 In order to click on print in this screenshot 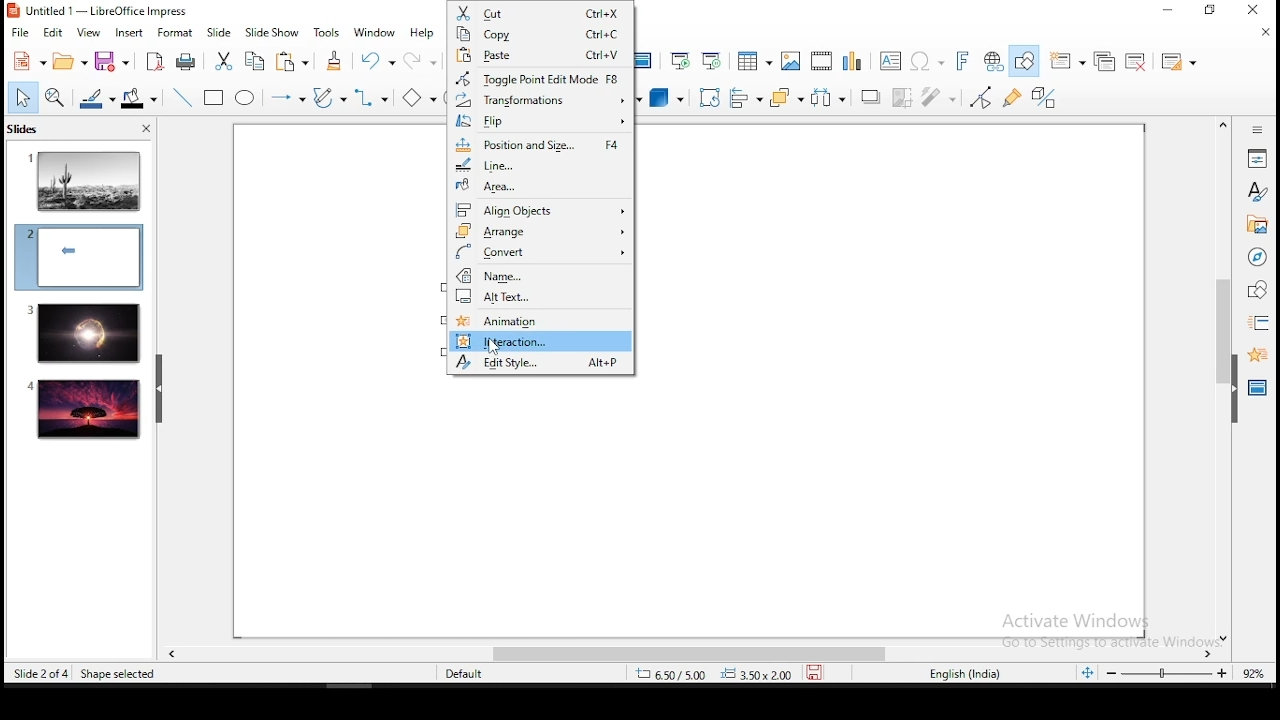, I will do `click(187, 61)`.